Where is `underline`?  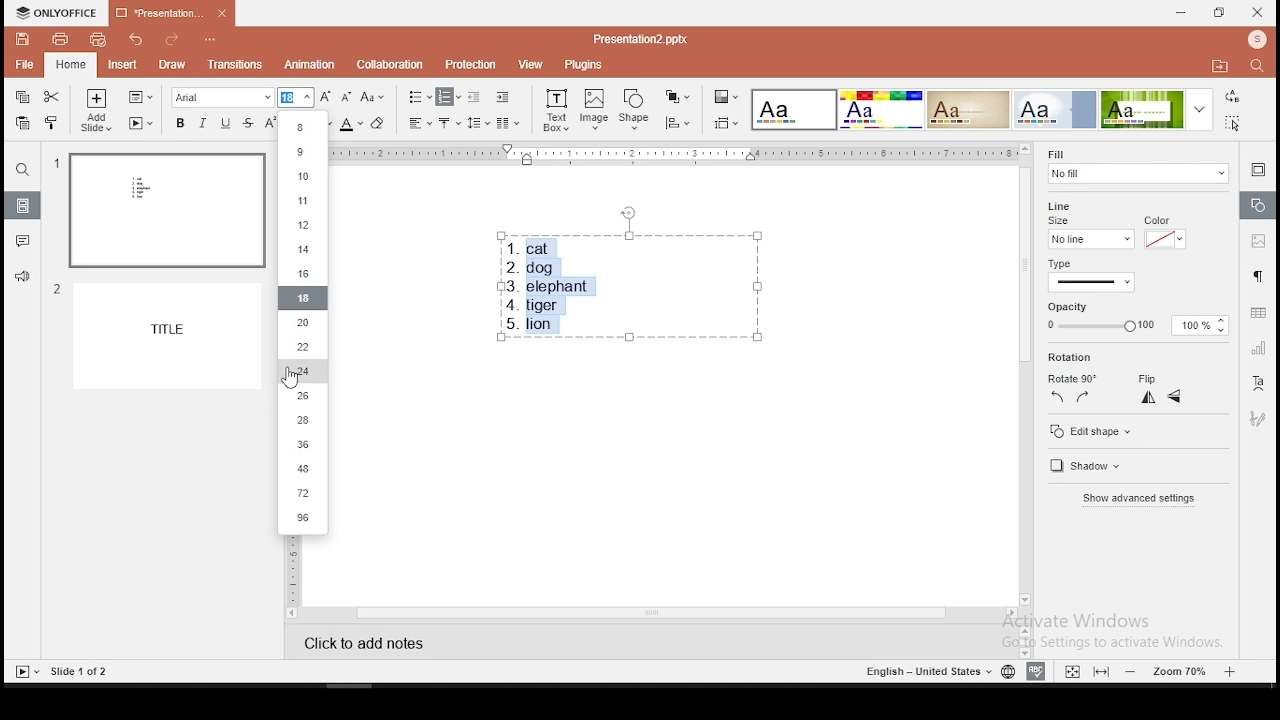 underline is located at coordinates (226, 122).